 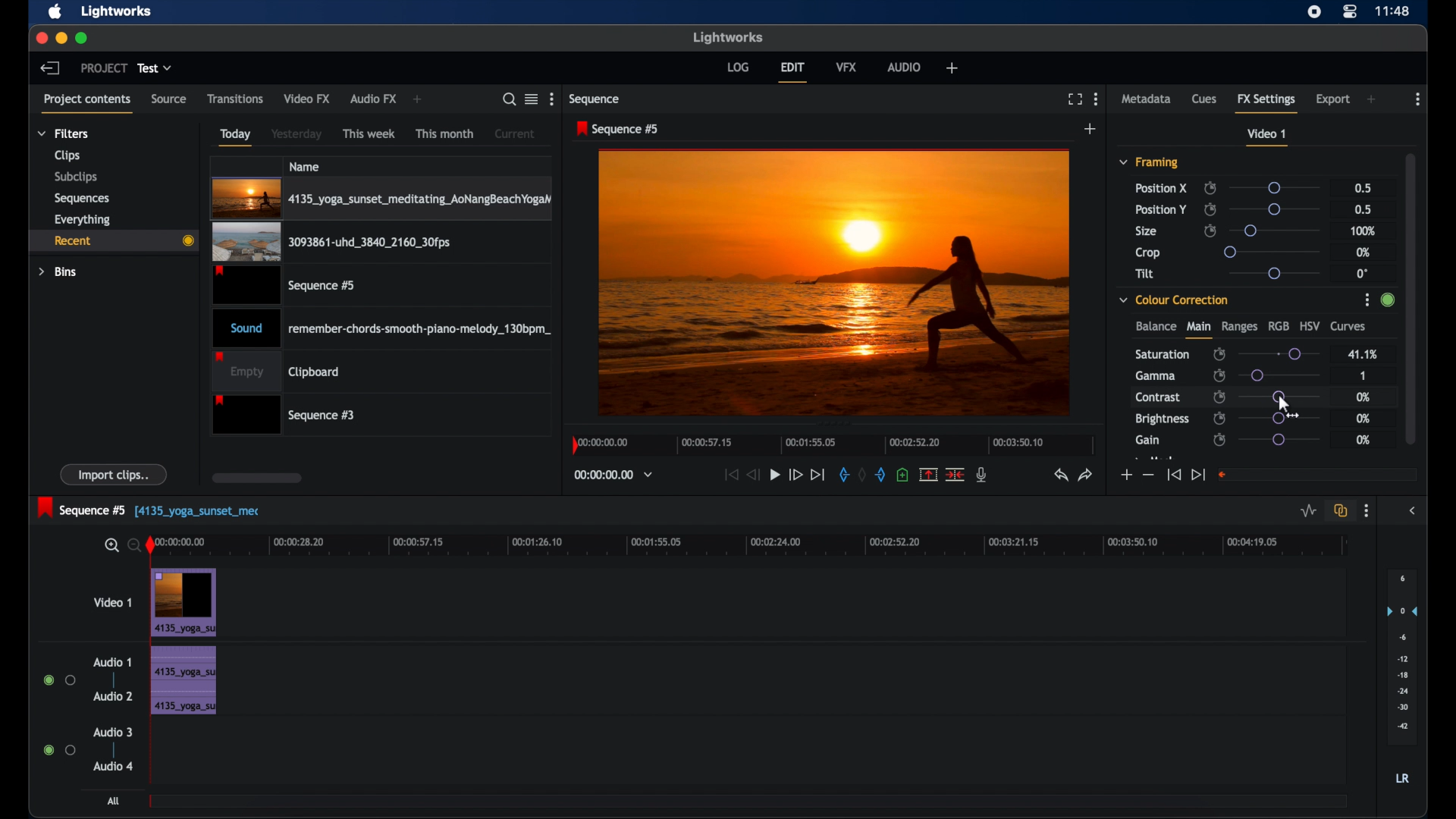 What do you see at coordinates (1075, 99) in the screenshot?
I see `full screen` at bounding box center [1075, 99].